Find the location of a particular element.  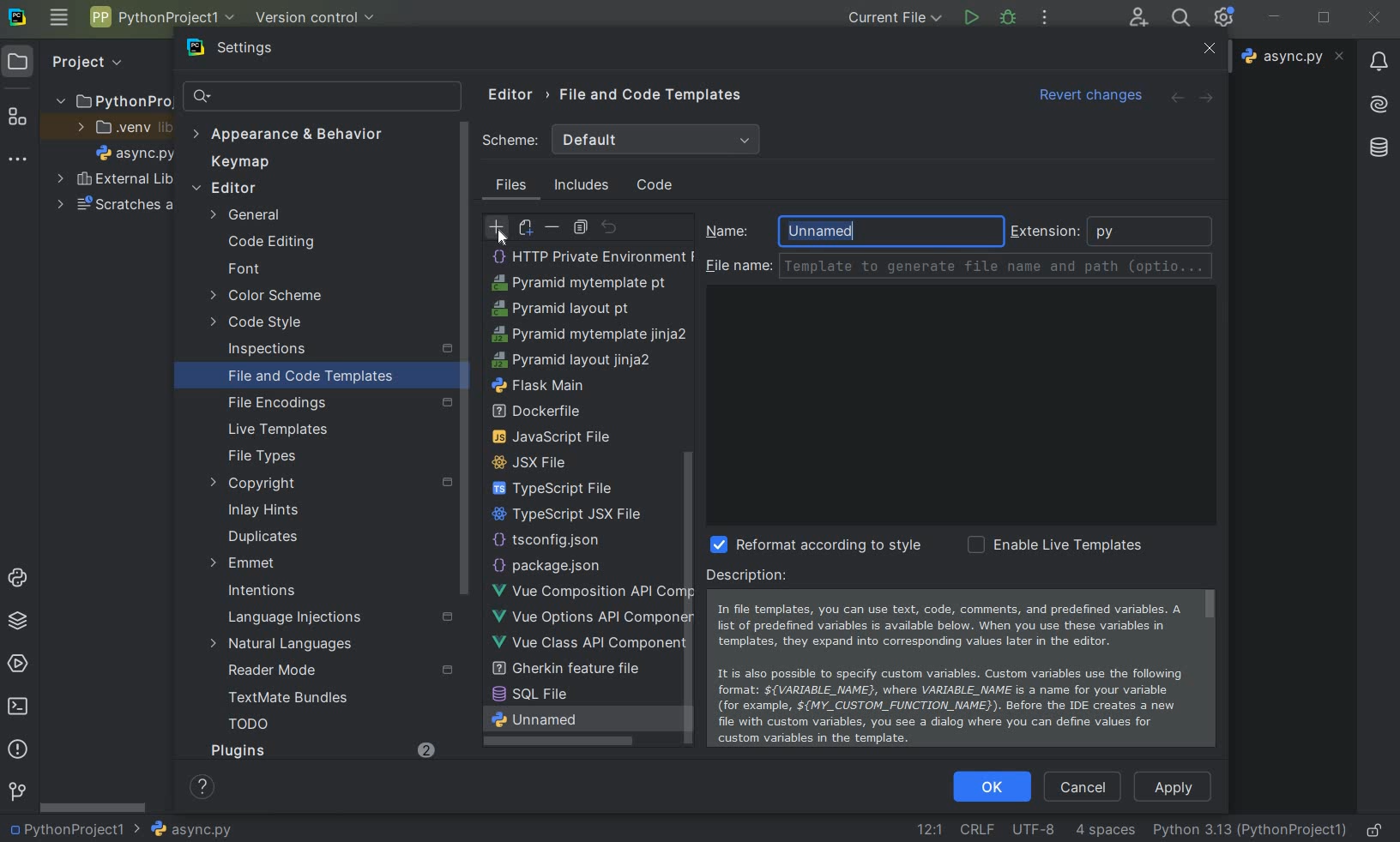

extension is located at coordinates (1046, 233).